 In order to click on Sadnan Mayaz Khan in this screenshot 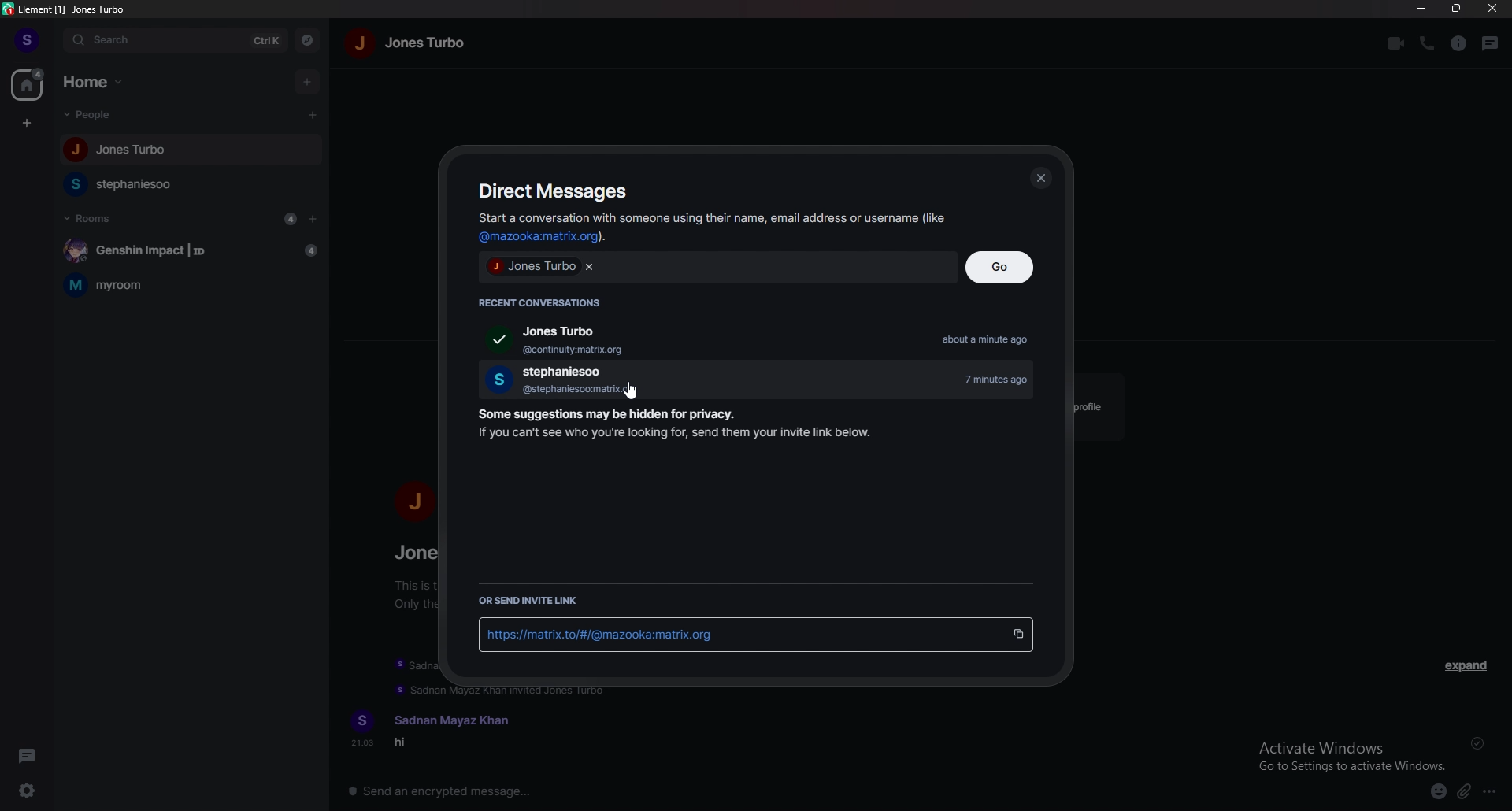, I will do `click(458, 715)`.